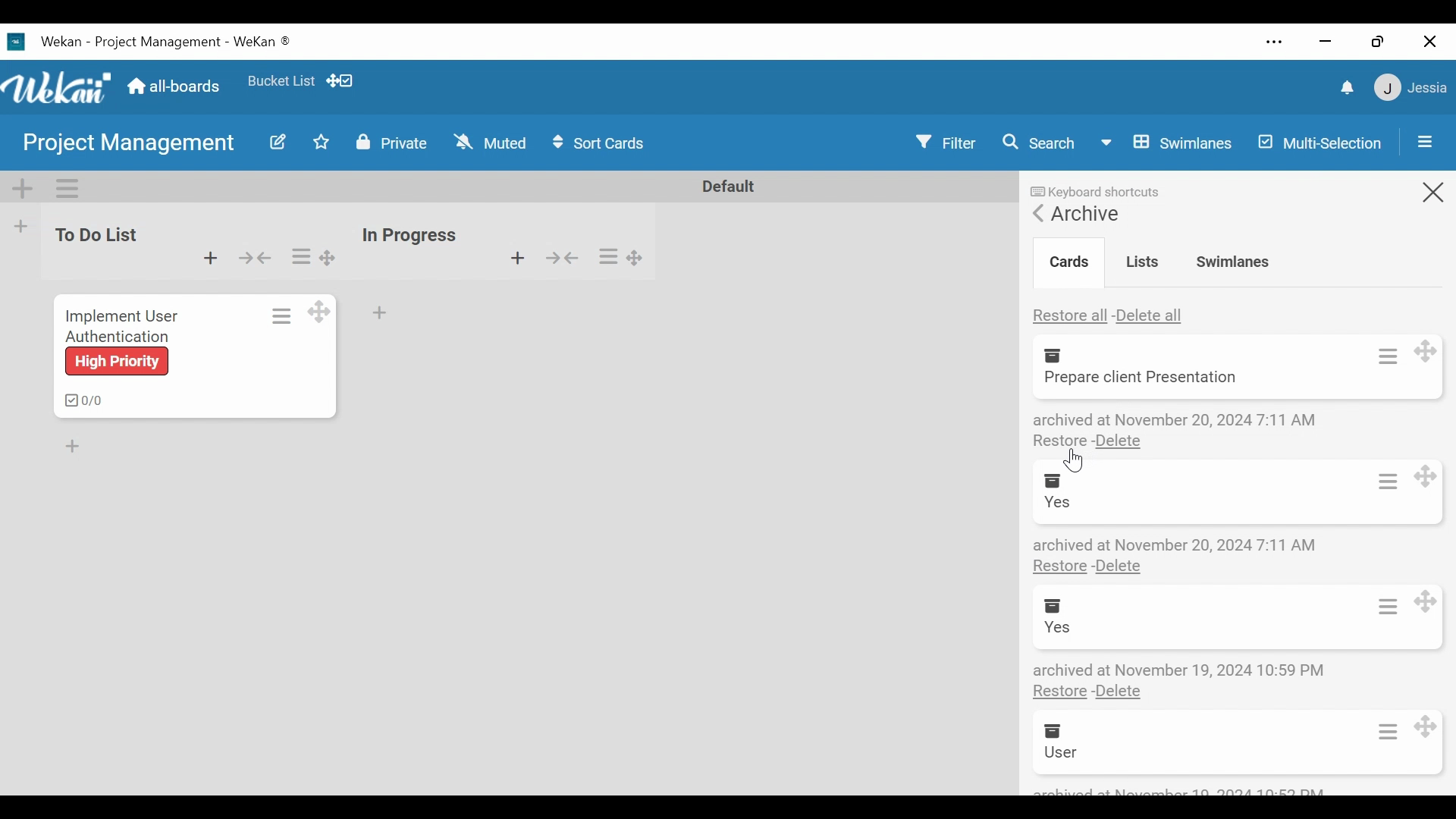 The image size is (1456, 819). What do you see at coordinates (609, 255) in the screenshot?
I see `list Actions` at bounding box center [609, 255].